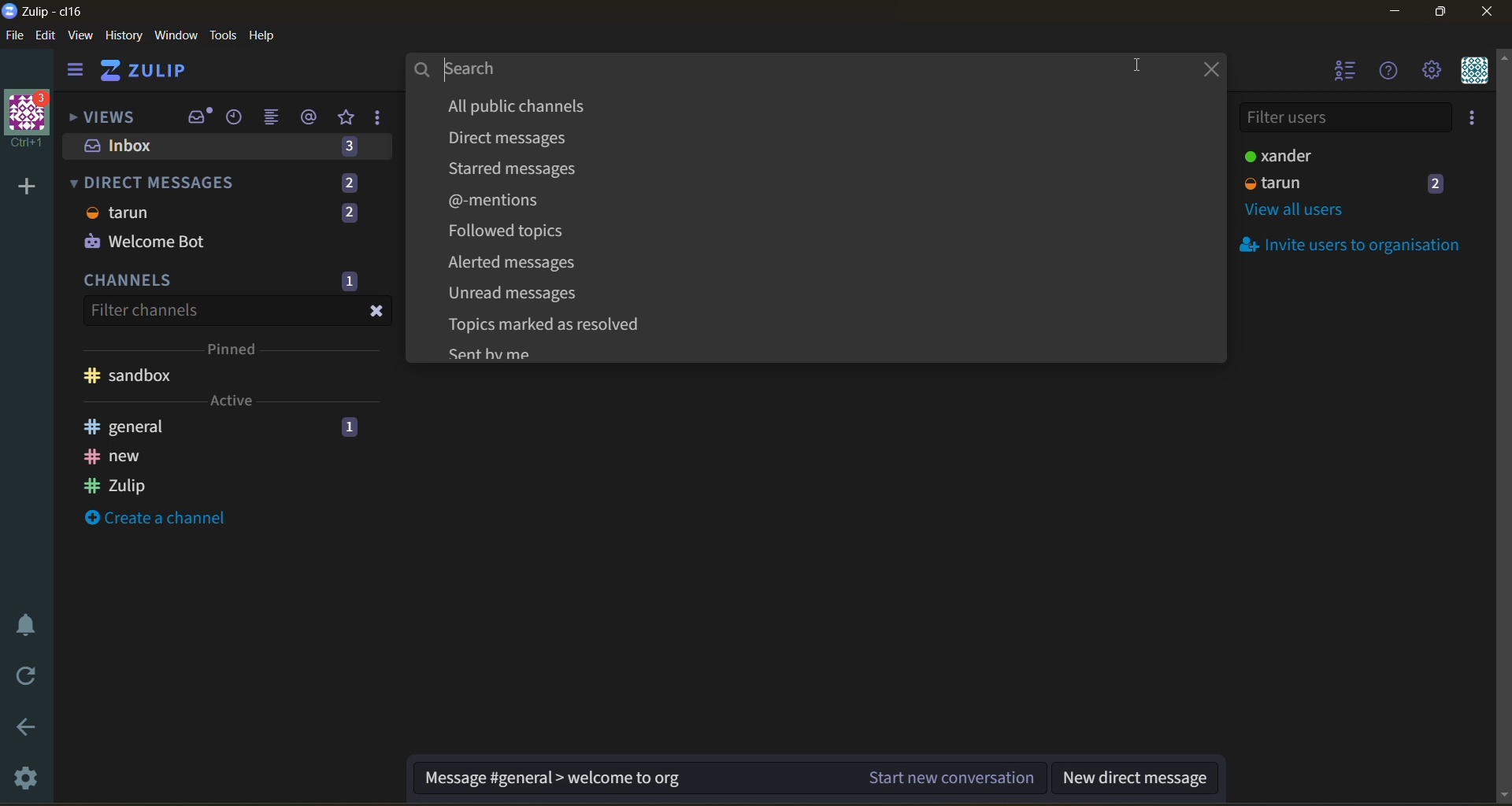 This screenshot has width=1512, height=806. Describe the element at coordinates (1389, 72) in the screenshot. I see `help` at that location.